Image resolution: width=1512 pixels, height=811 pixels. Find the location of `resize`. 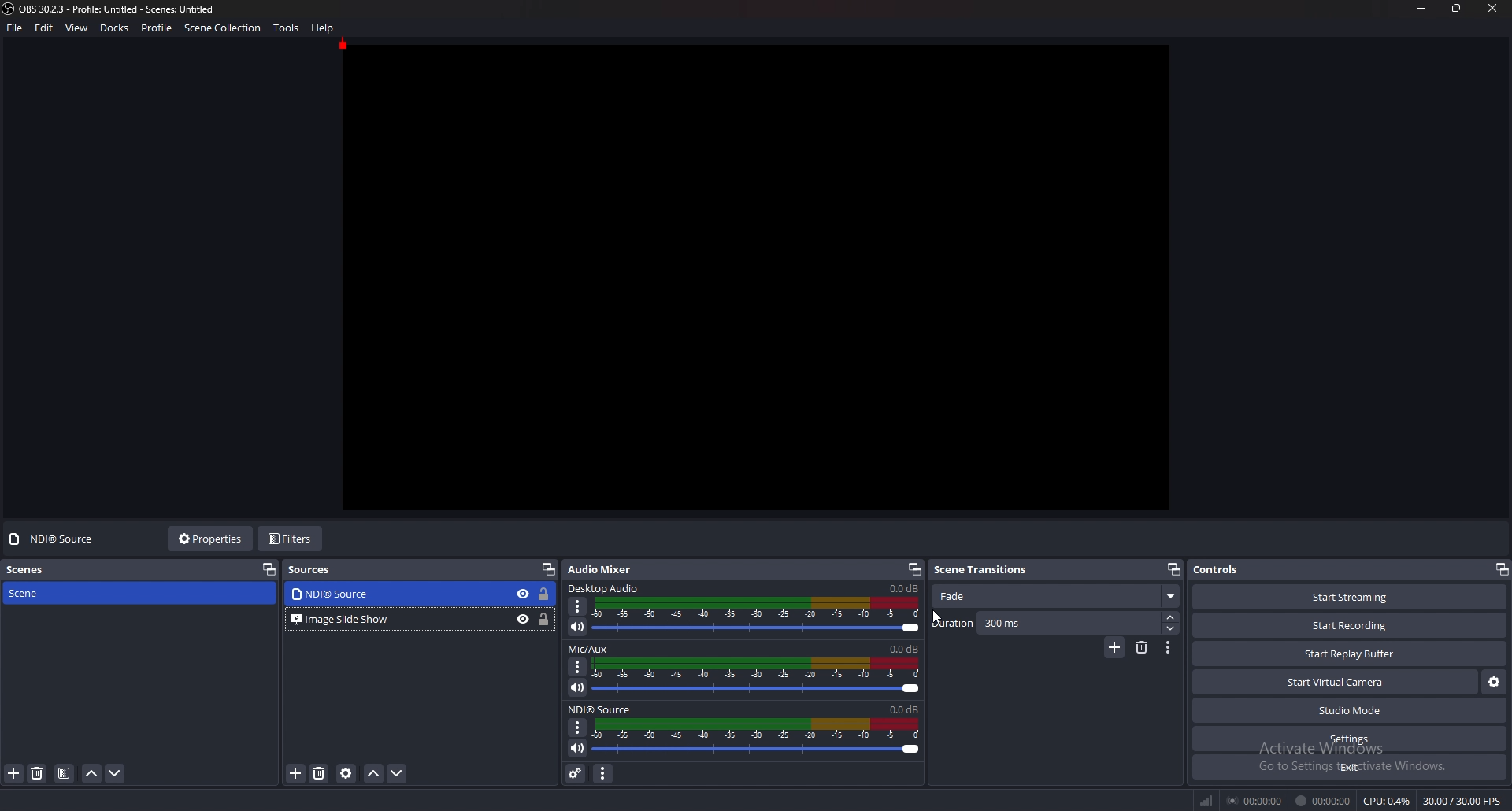

resize is located at coordinates (1458, 8).